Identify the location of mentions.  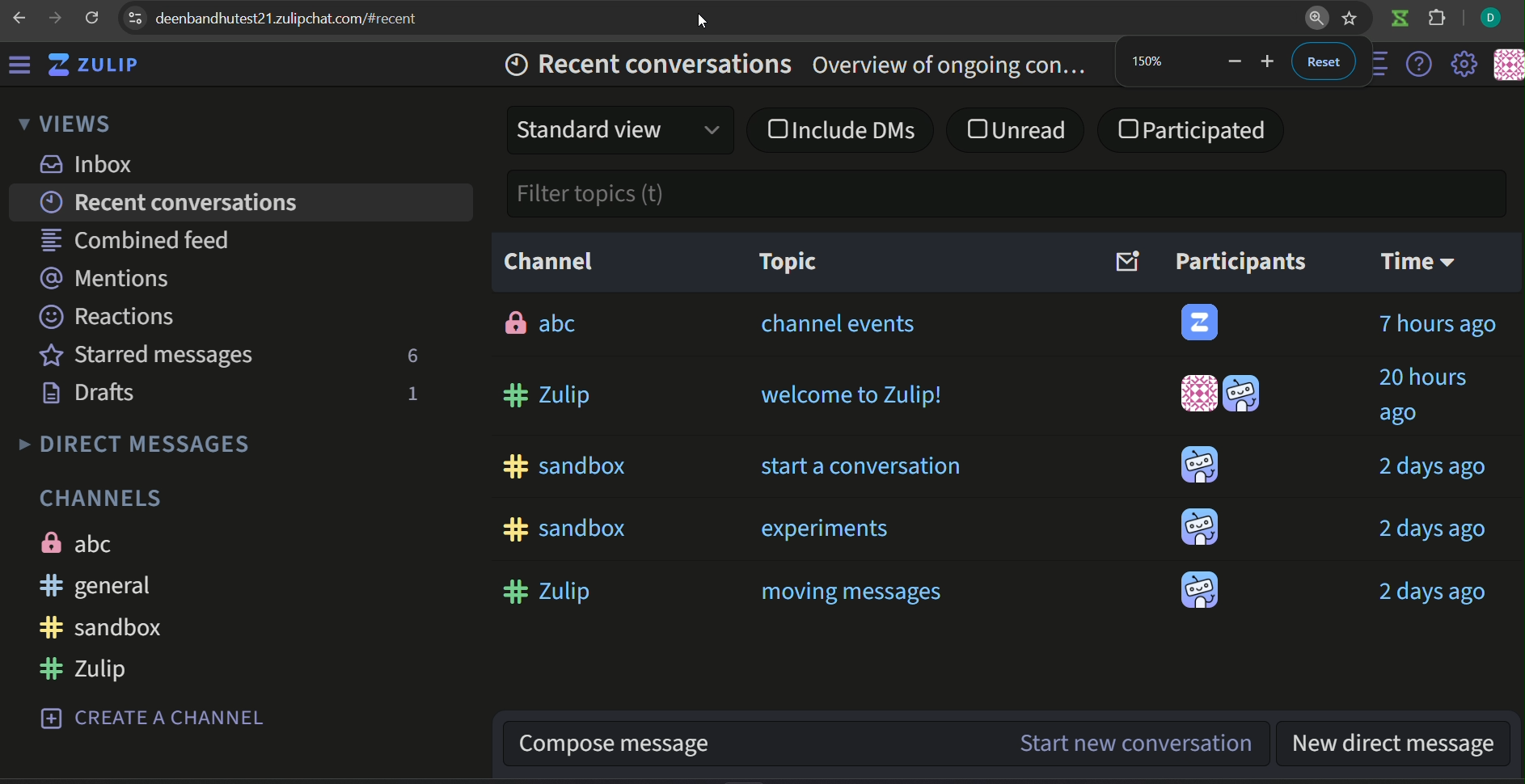
(119, 280).